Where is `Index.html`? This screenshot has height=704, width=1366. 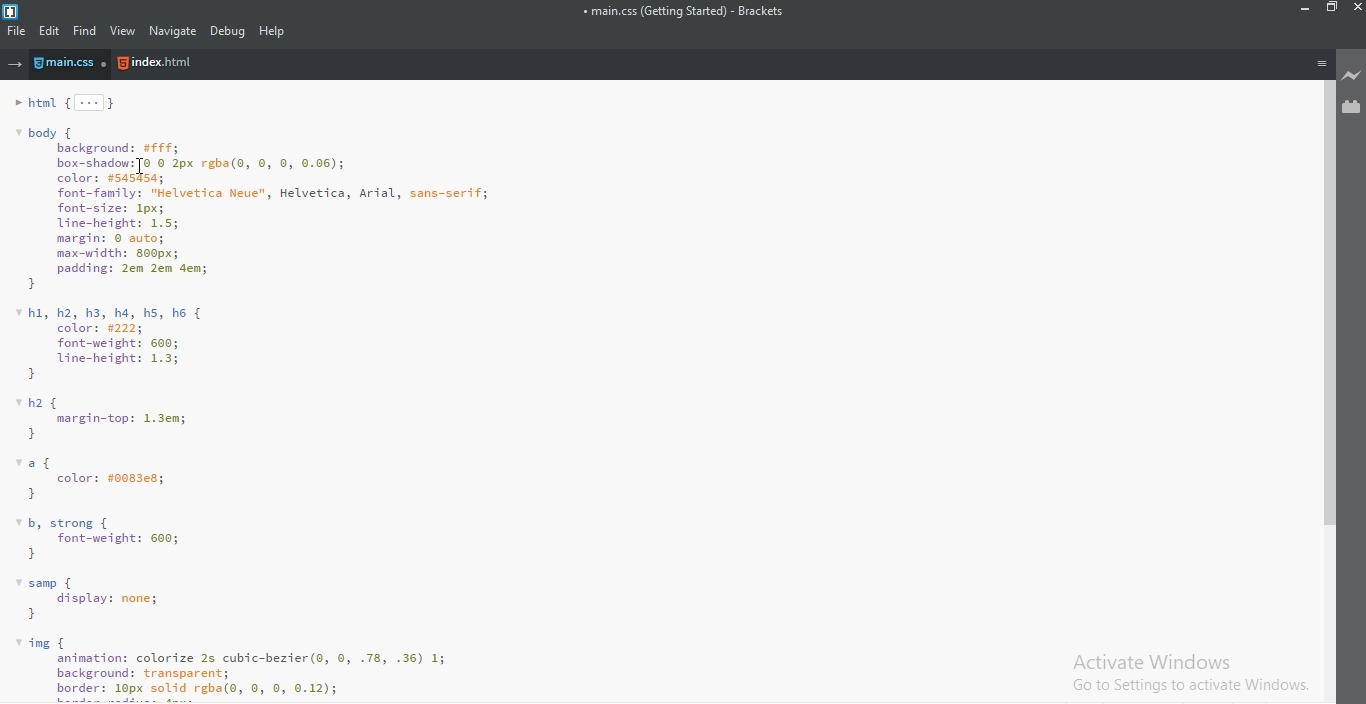 Index.html is located at coordinates (156, 64).